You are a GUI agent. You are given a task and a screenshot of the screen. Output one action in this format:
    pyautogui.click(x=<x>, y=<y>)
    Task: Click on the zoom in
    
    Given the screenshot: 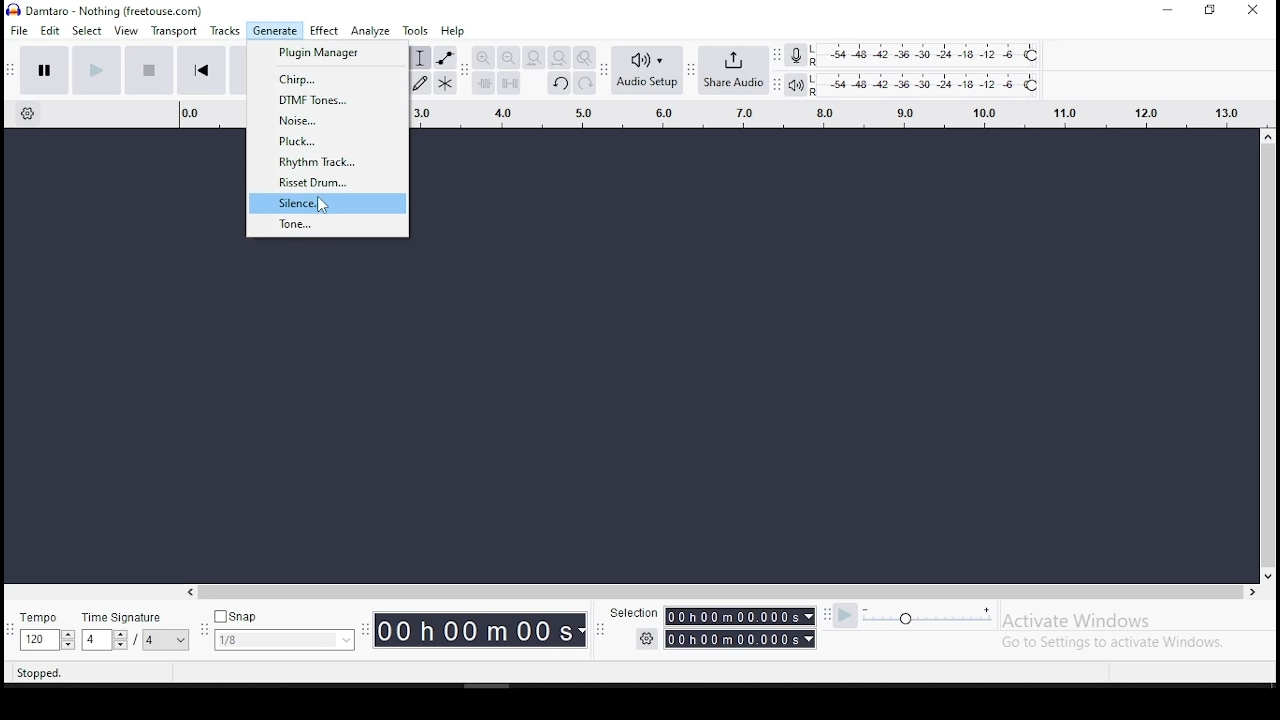 What is the action you would take?
    pyautogui.click(x=484, y=57)
    